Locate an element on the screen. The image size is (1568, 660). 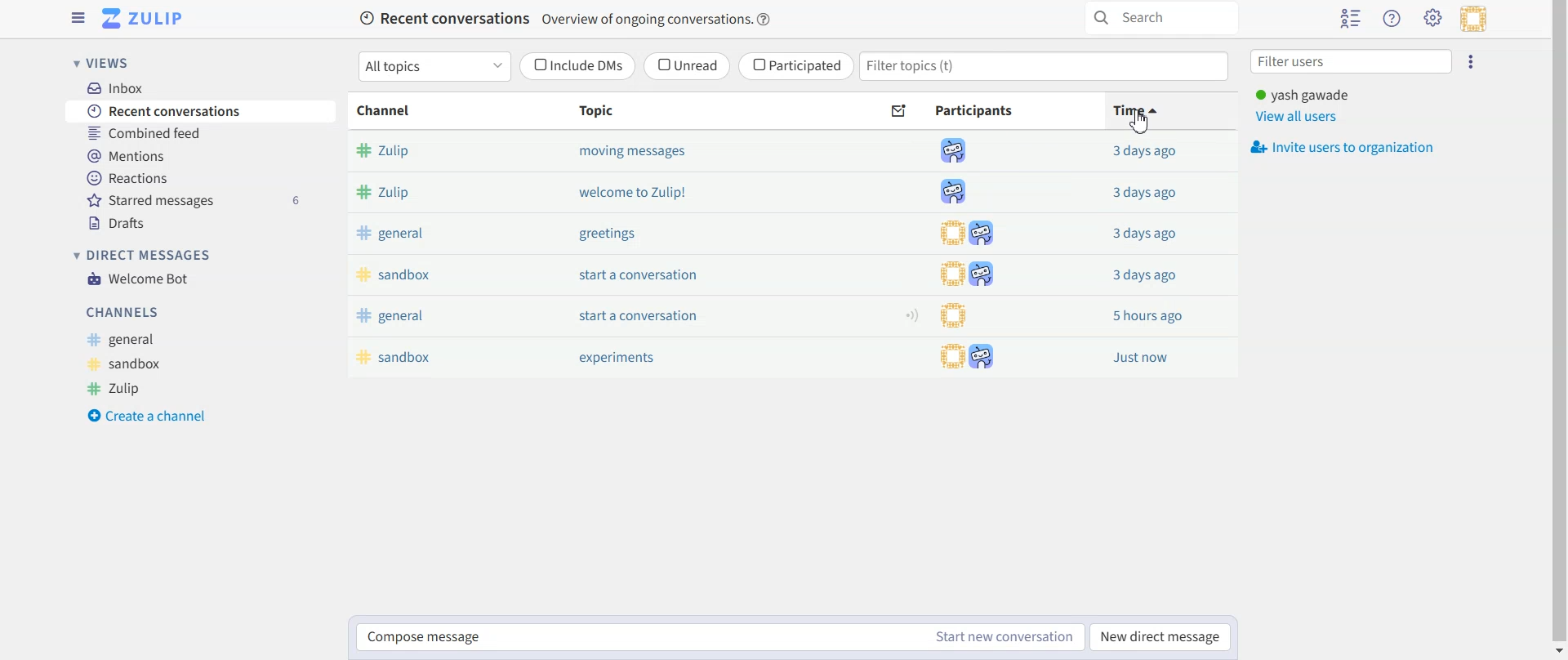
Unread is located at coordinates (688, 66).